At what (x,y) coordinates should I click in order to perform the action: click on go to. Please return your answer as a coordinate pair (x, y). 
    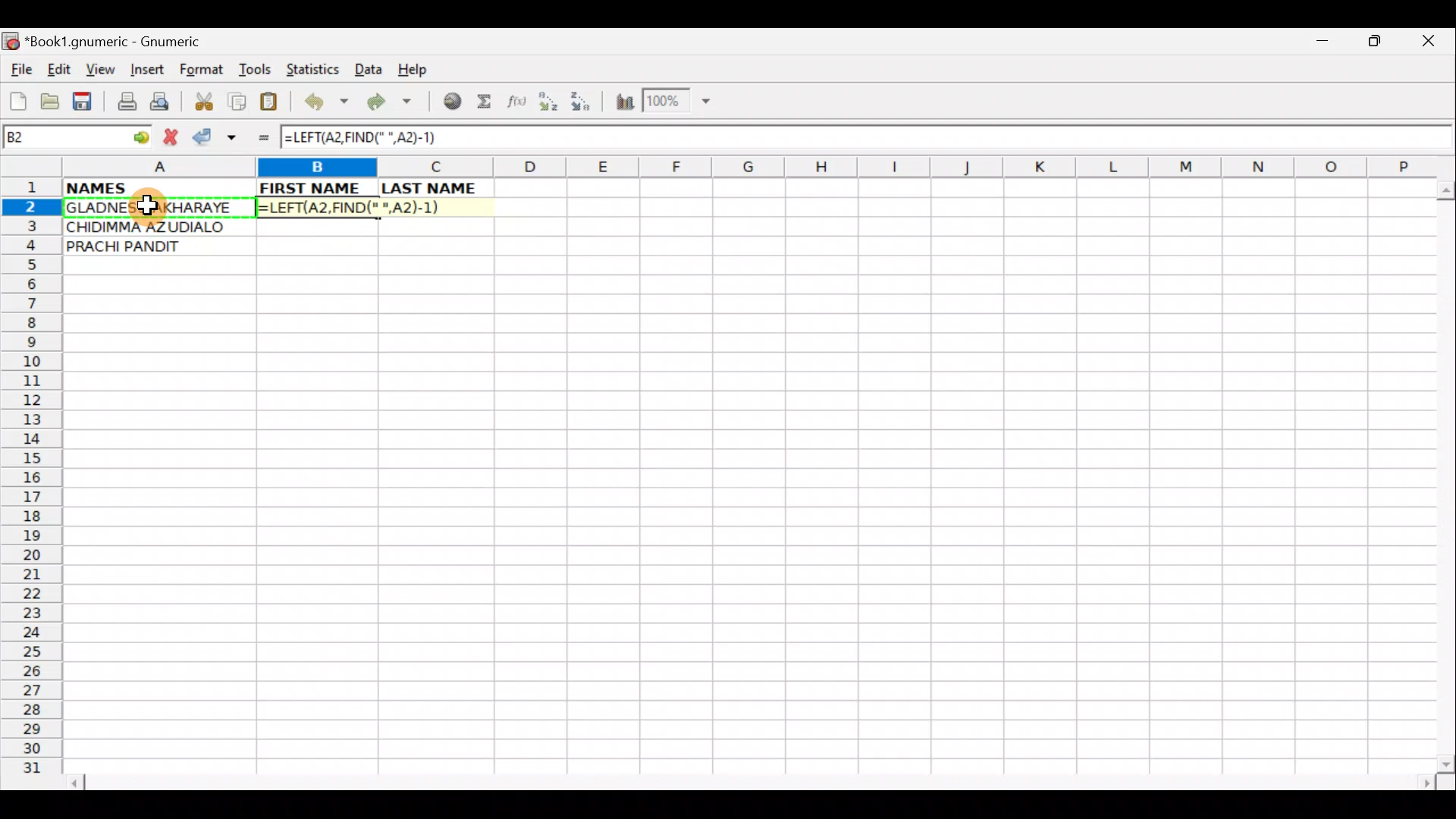
    Looking at the image, I should click on (140, 135).